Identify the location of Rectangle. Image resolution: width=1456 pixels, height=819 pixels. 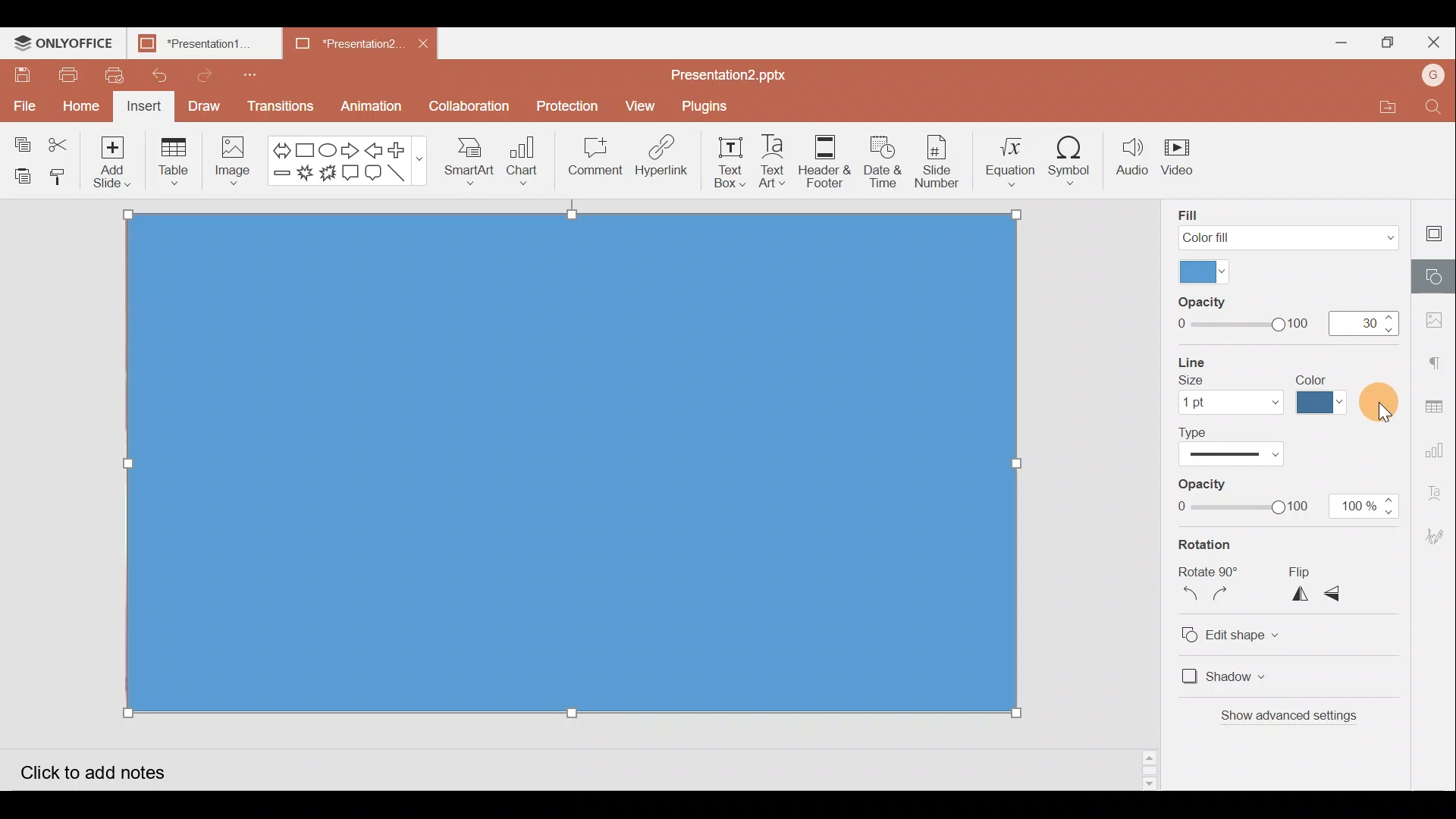
(309, 146).